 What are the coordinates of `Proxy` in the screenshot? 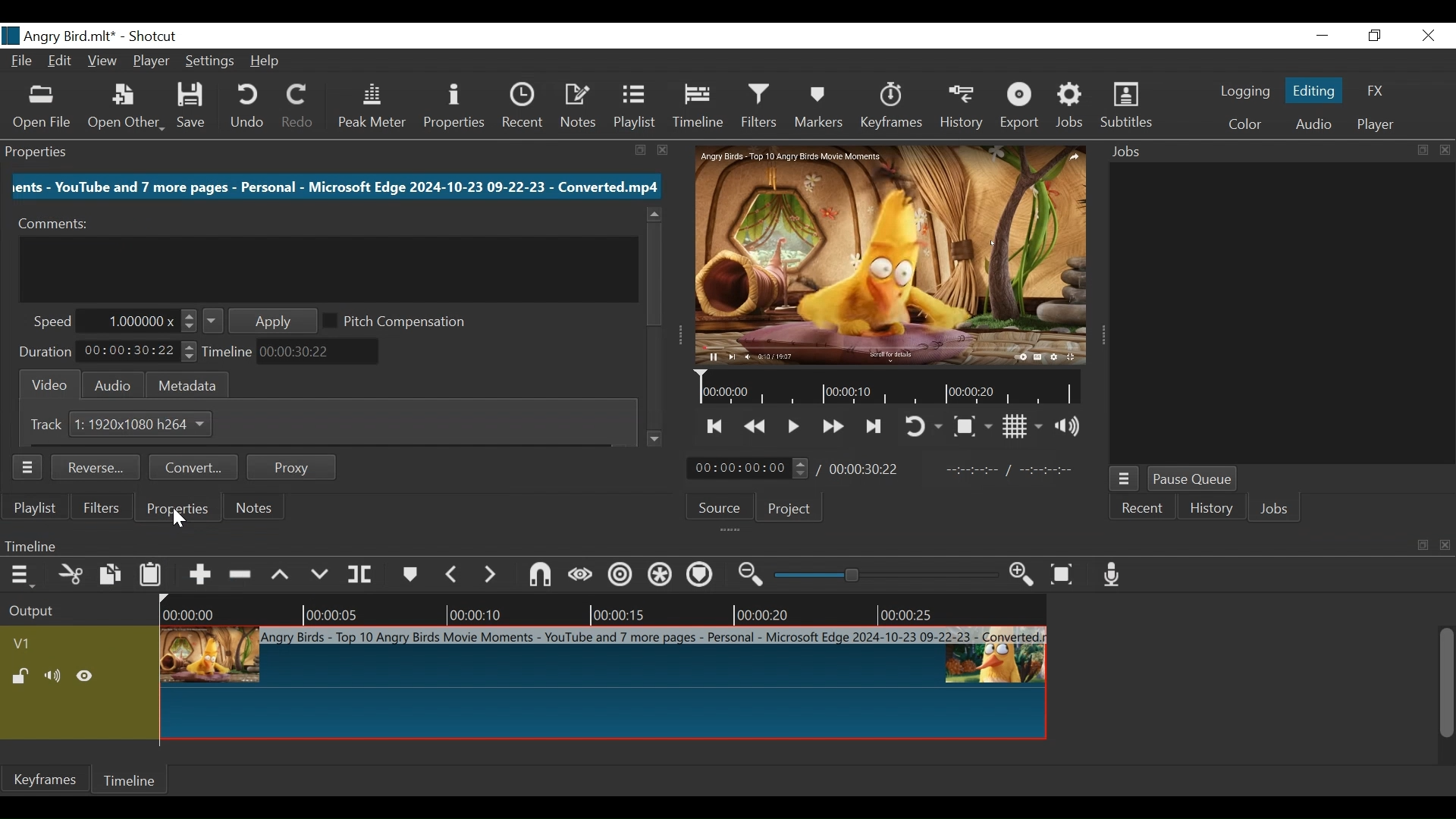 It's located at (289, 466).